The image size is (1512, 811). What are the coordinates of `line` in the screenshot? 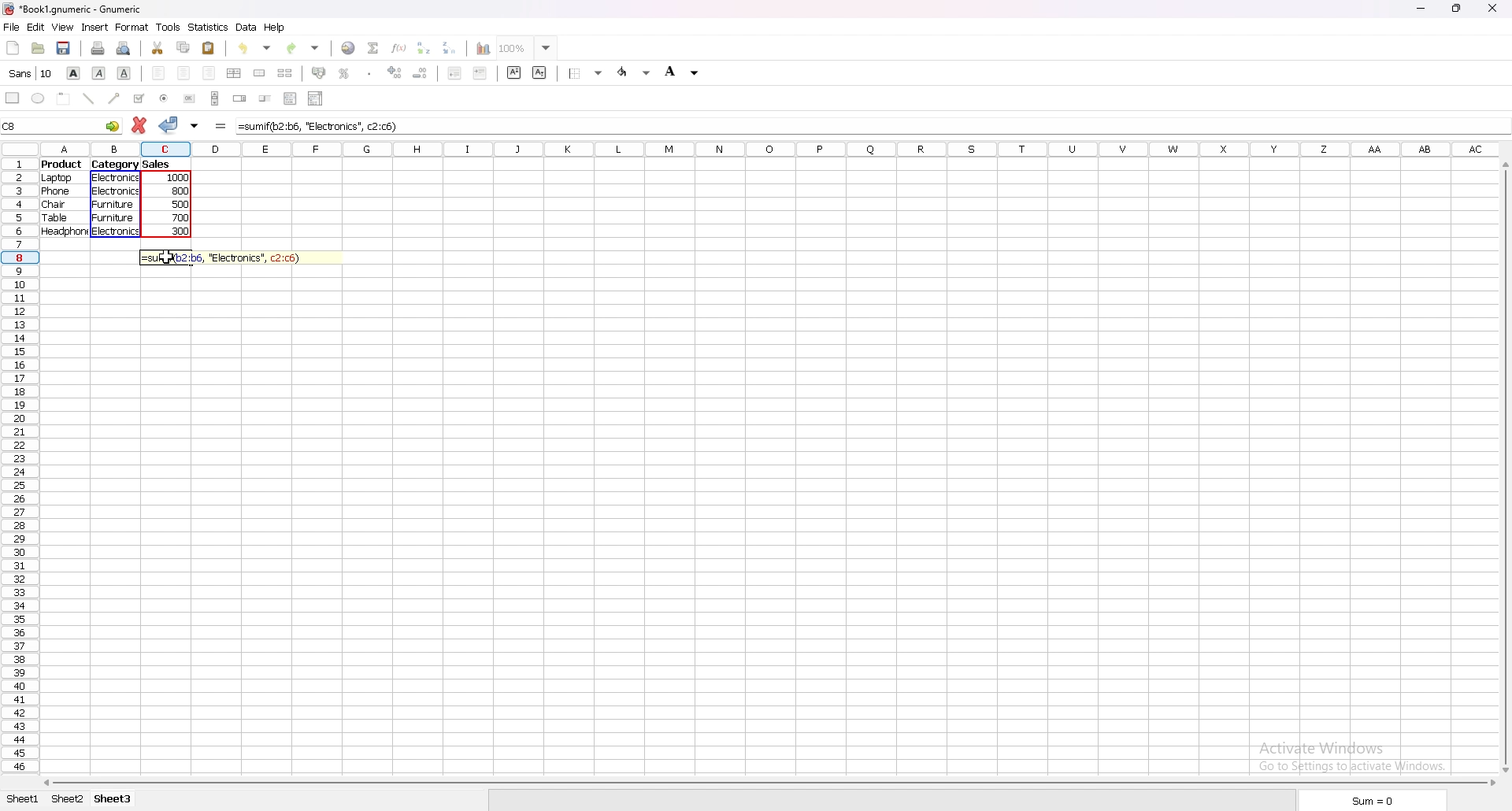 It's located at (89, 99).